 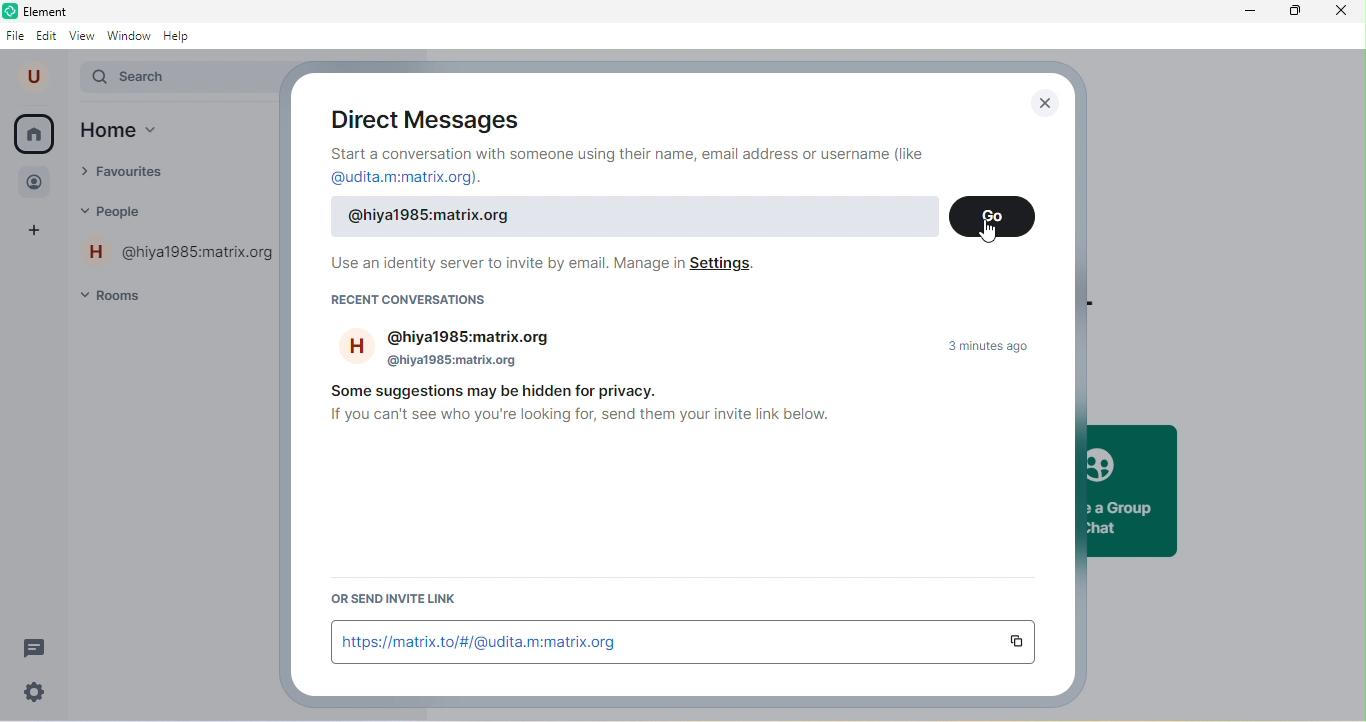 What do you see at coordinates (663, 641) in the screenshot?
I see `https://matrix.to/#/@udita.m:matrix.org` at bounding box center [663, 641].